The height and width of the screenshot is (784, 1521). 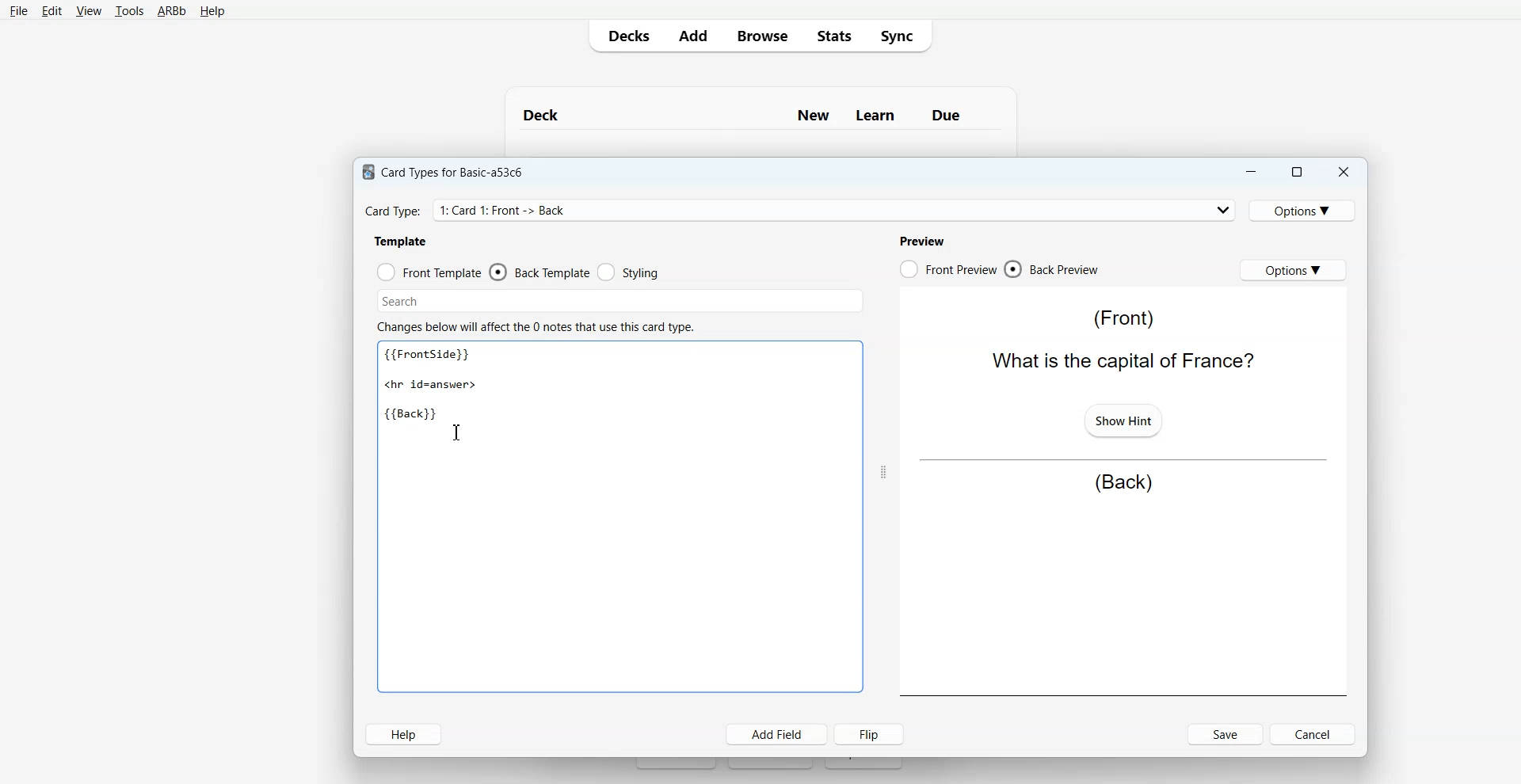 What do you see at coordinates (457, 432) in the screenshot?
I see `Text Cursor` at bounding box center [457, 432].